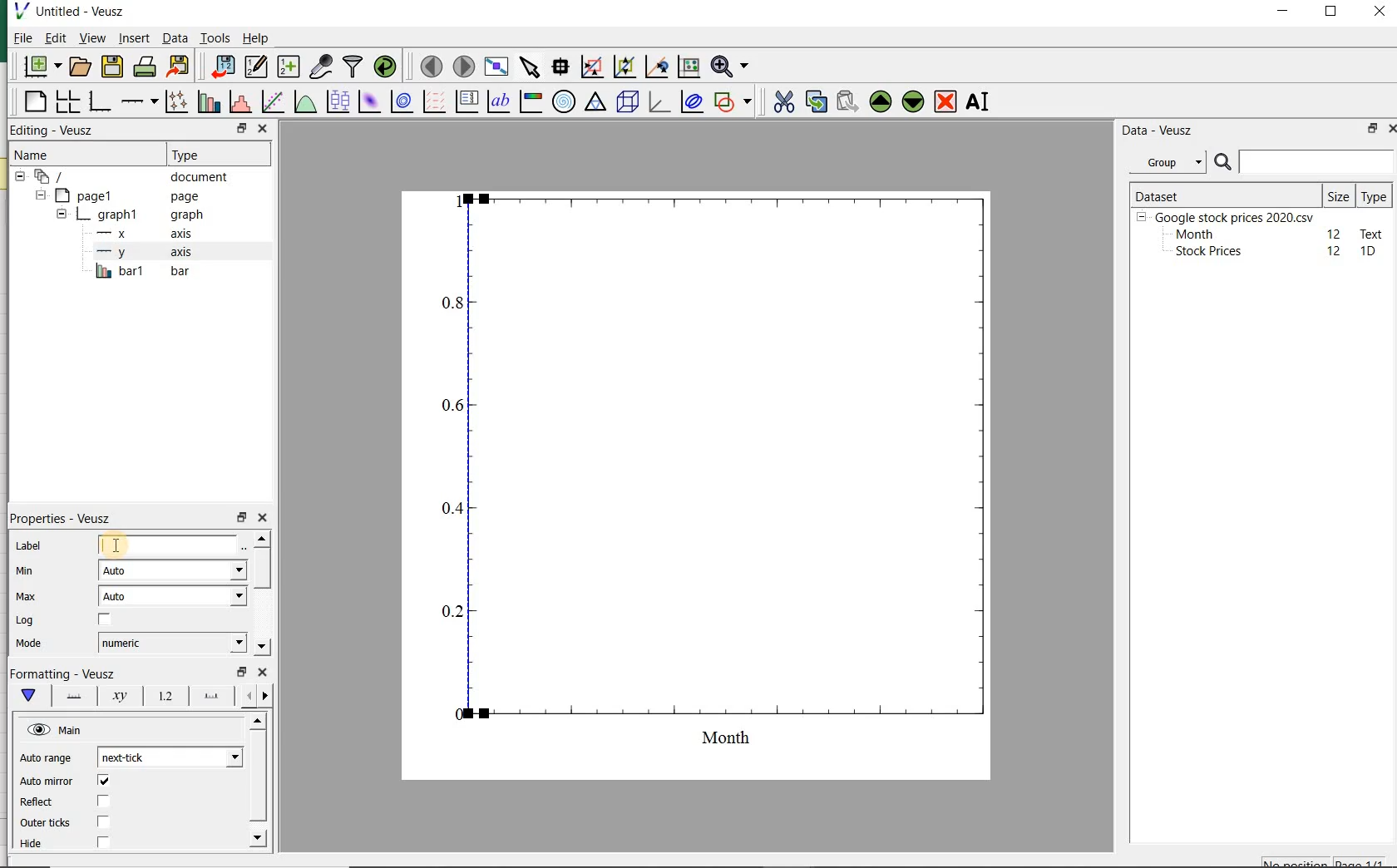 Image resolution: width=1397 pixels, height=868 pixels. I want to click on axis line, so click(70, 695).